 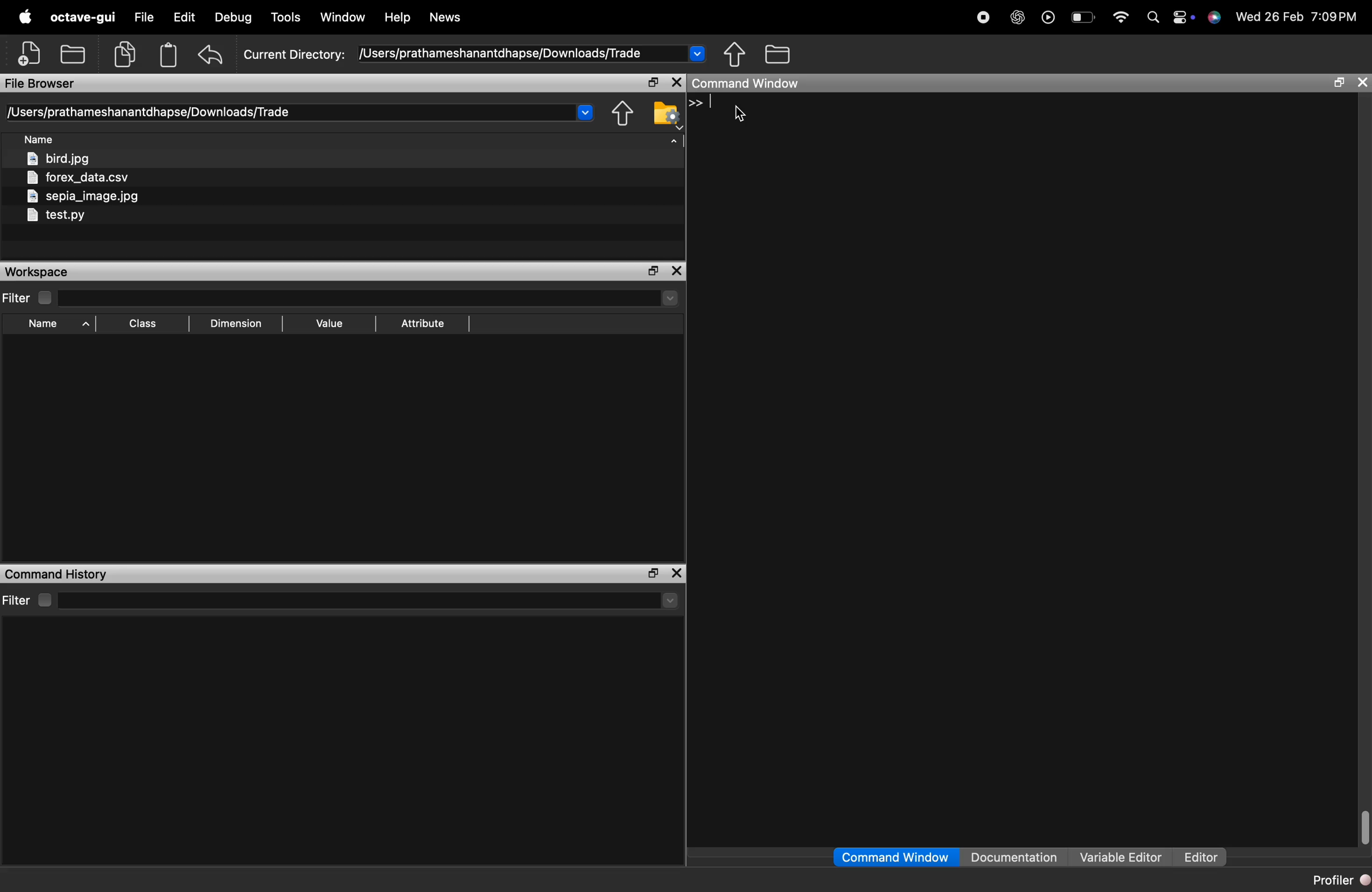 What do you see at coordinates (1339, 882) in the screenshot?
I see `profiler` at bounding box center [1339, 882].